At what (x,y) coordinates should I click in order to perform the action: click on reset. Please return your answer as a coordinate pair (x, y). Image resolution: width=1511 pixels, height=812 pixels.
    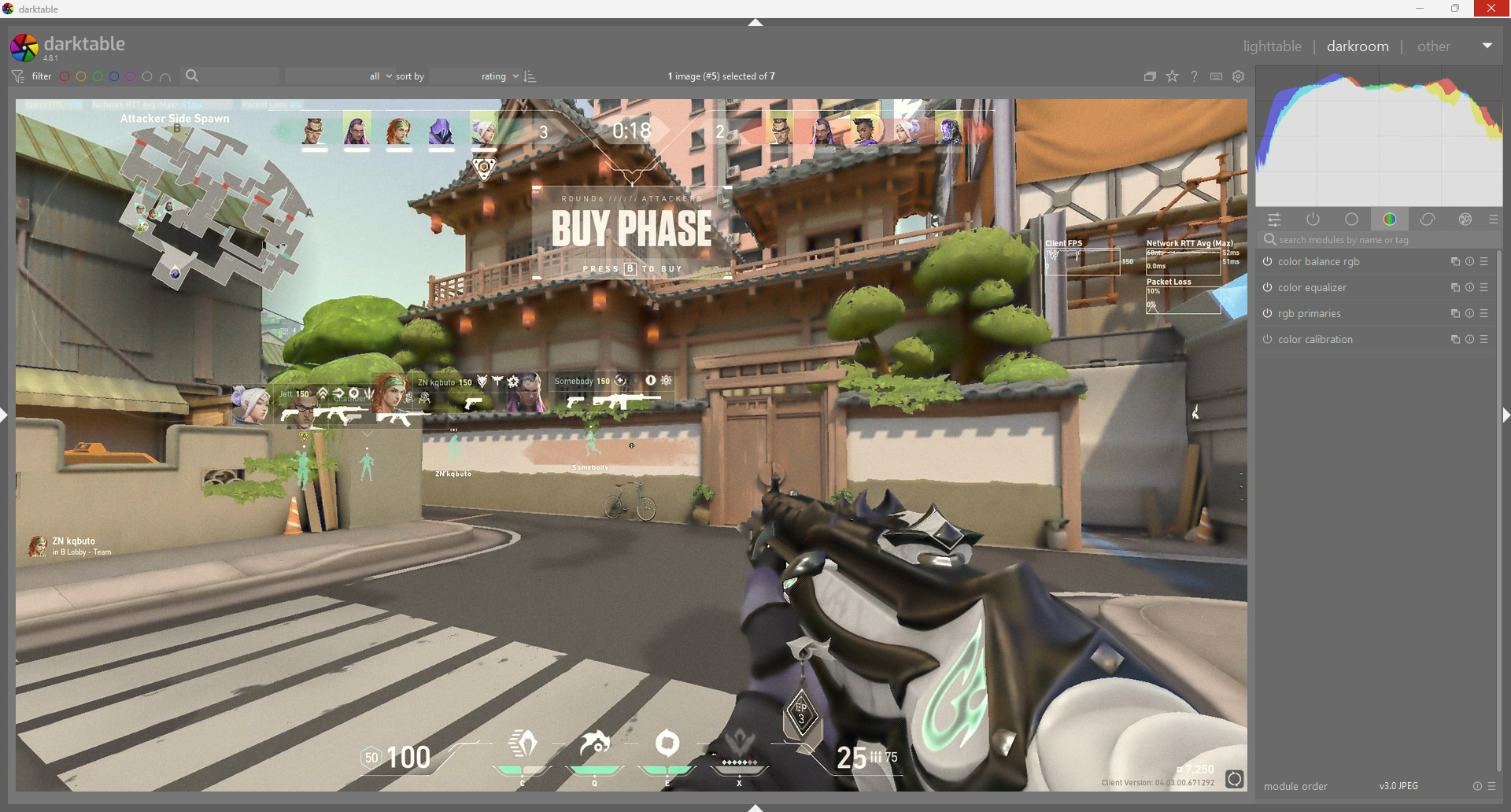
    Looking at the image, I should click on (1476, 787).